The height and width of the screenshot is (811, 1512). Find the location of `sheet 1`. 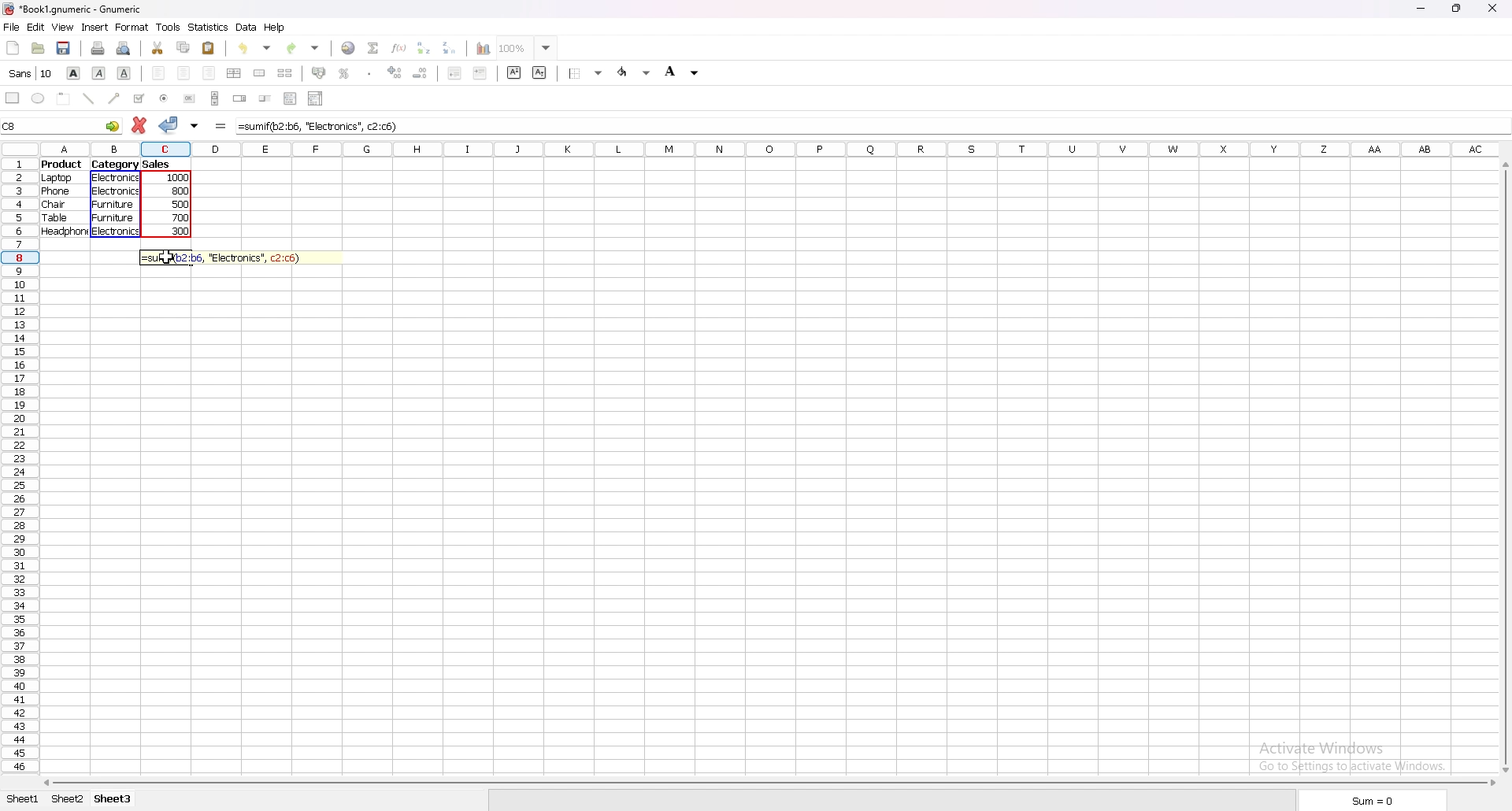

sheet 1 is located at coordinates (22, 800).